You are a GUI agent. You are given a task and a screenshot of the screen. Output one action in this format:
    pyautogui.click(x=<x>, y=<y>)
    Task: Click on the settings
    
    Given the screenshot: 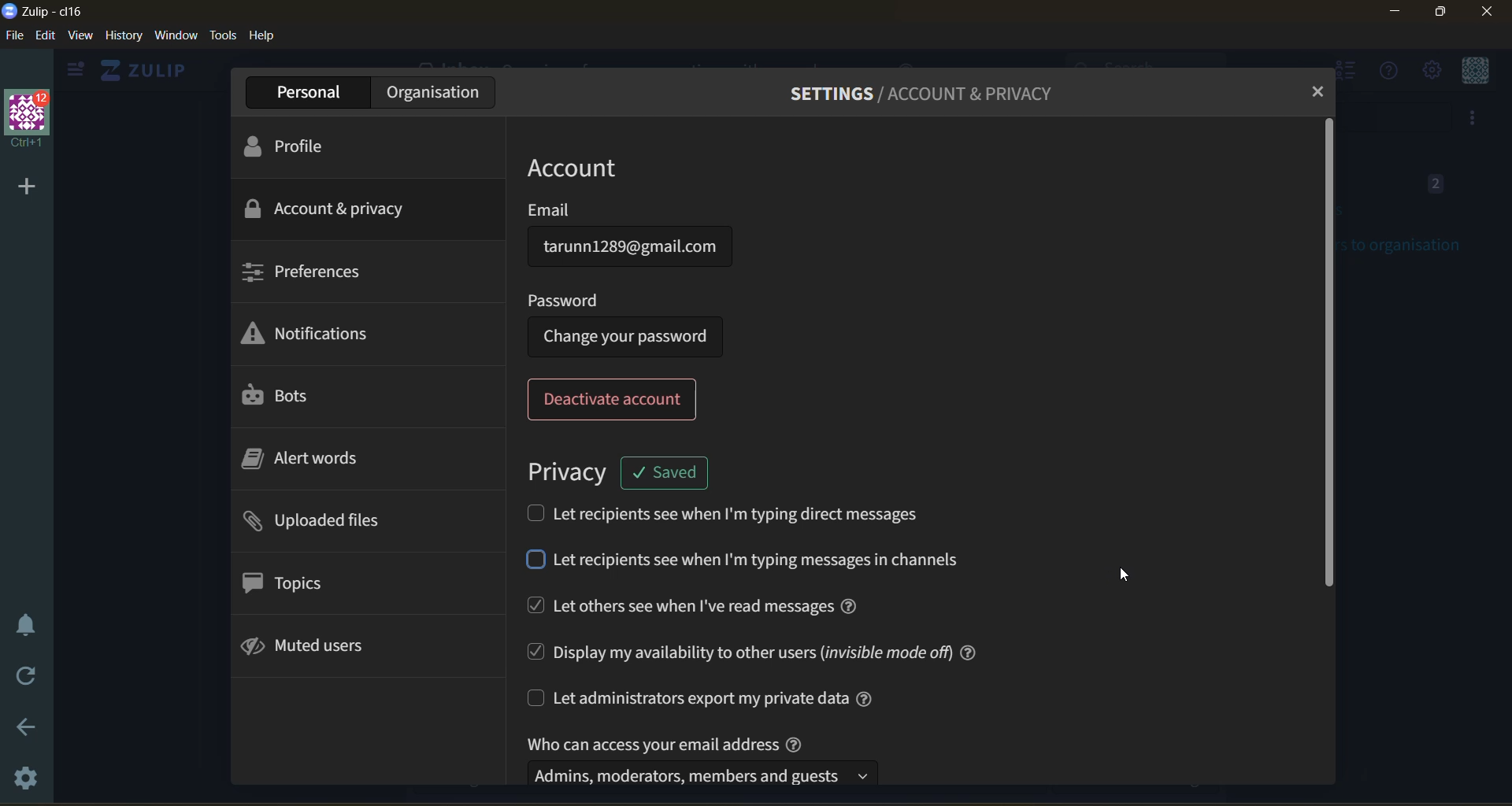 What is the action you would take?
    pyautogui.click(x=29, y=779)
    